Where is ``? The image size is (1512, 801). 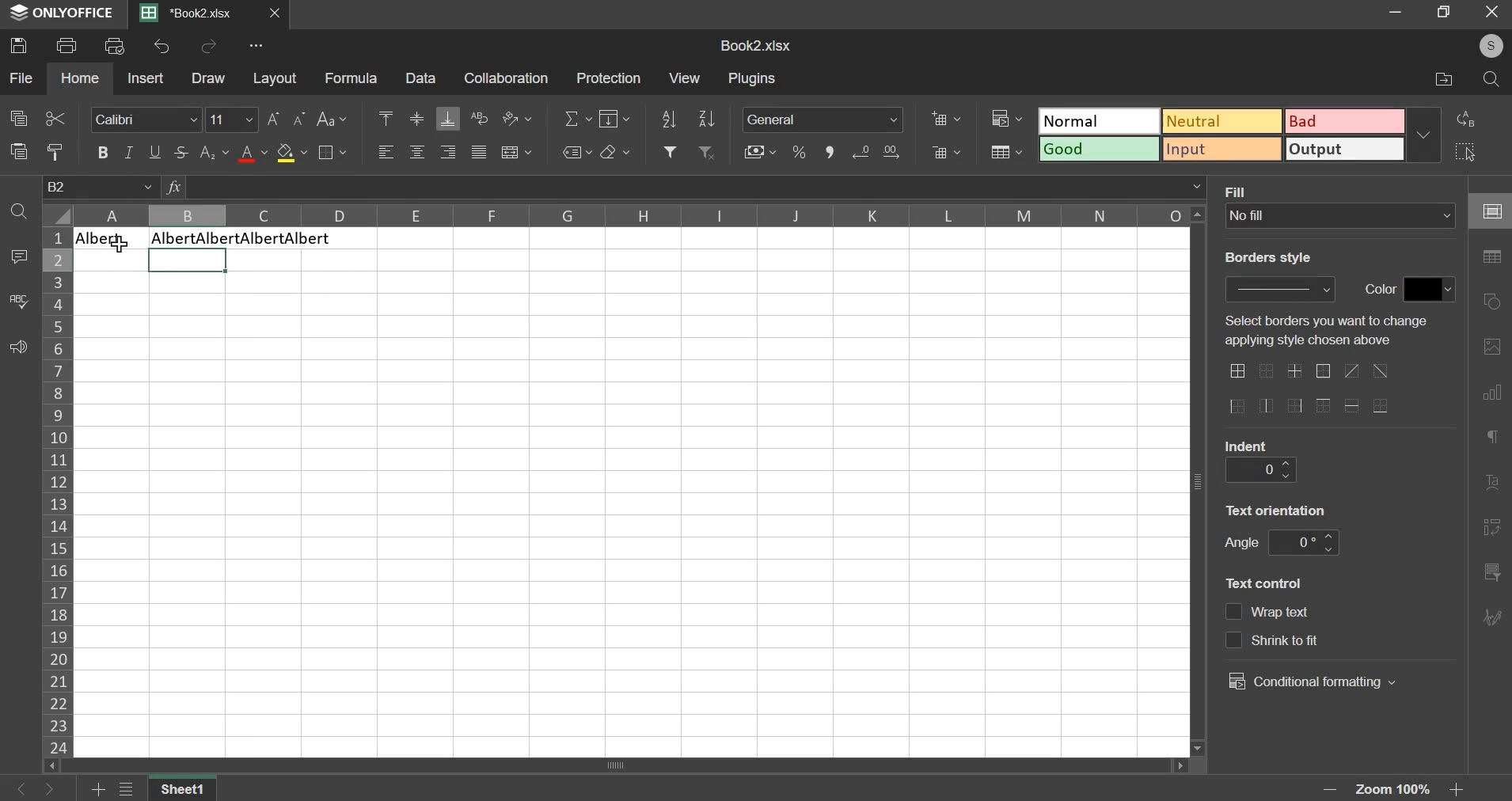
 is located at coordinates (1495, 618).